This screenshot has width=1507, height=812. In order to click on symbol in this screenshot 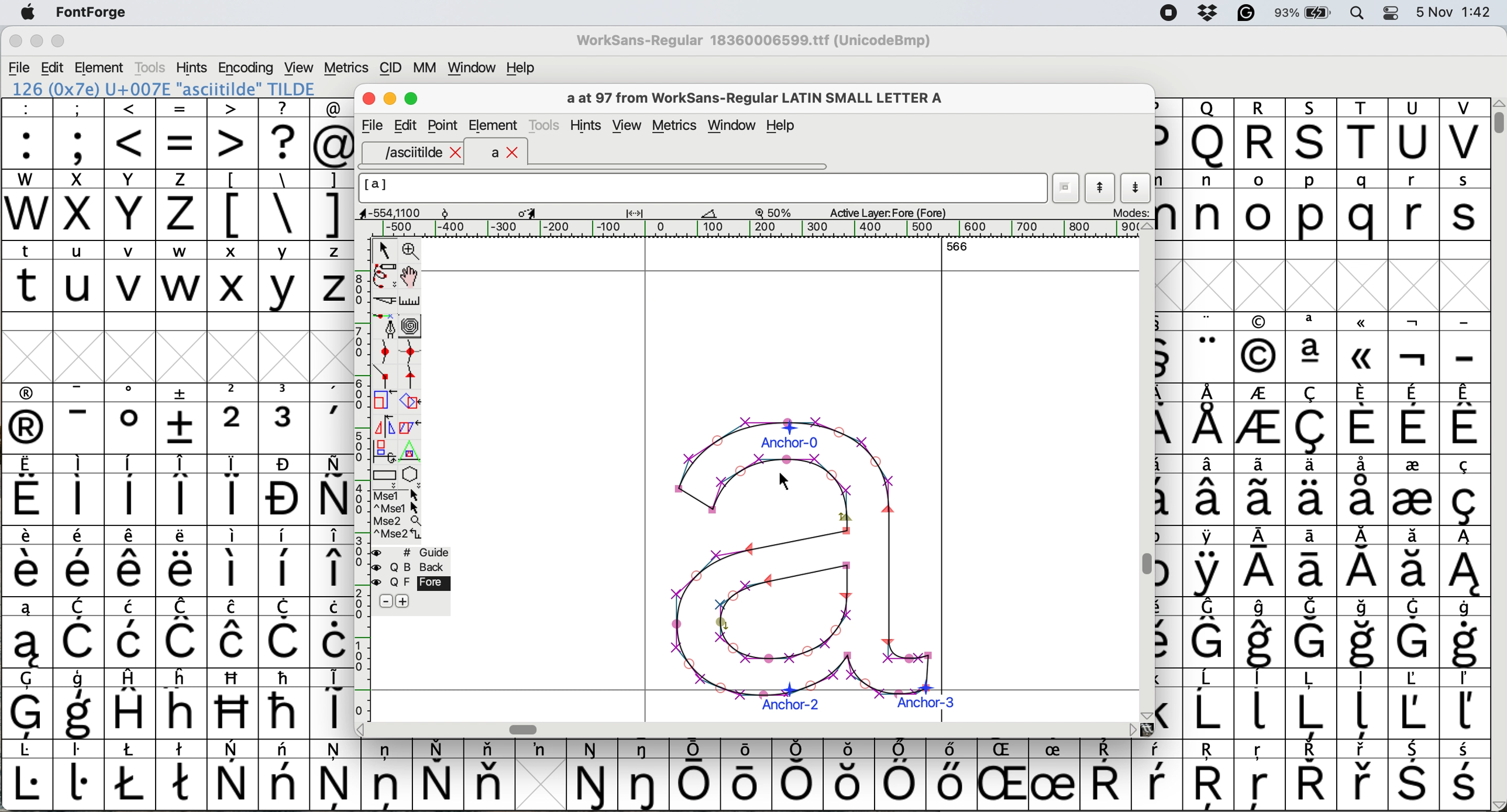, I will do `click(332, 701)`.